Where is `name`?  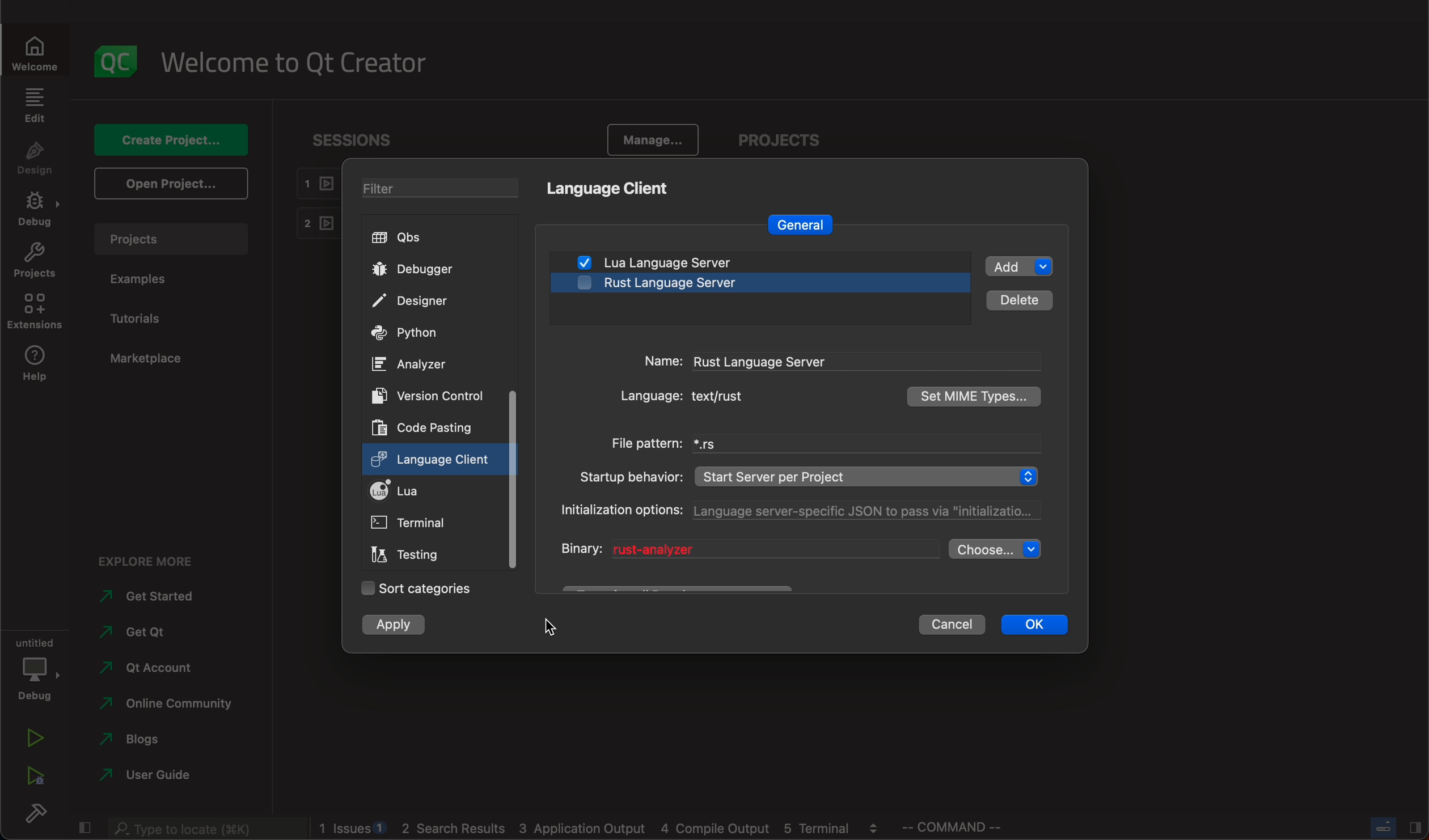
name is located at coordinates (816, 361).